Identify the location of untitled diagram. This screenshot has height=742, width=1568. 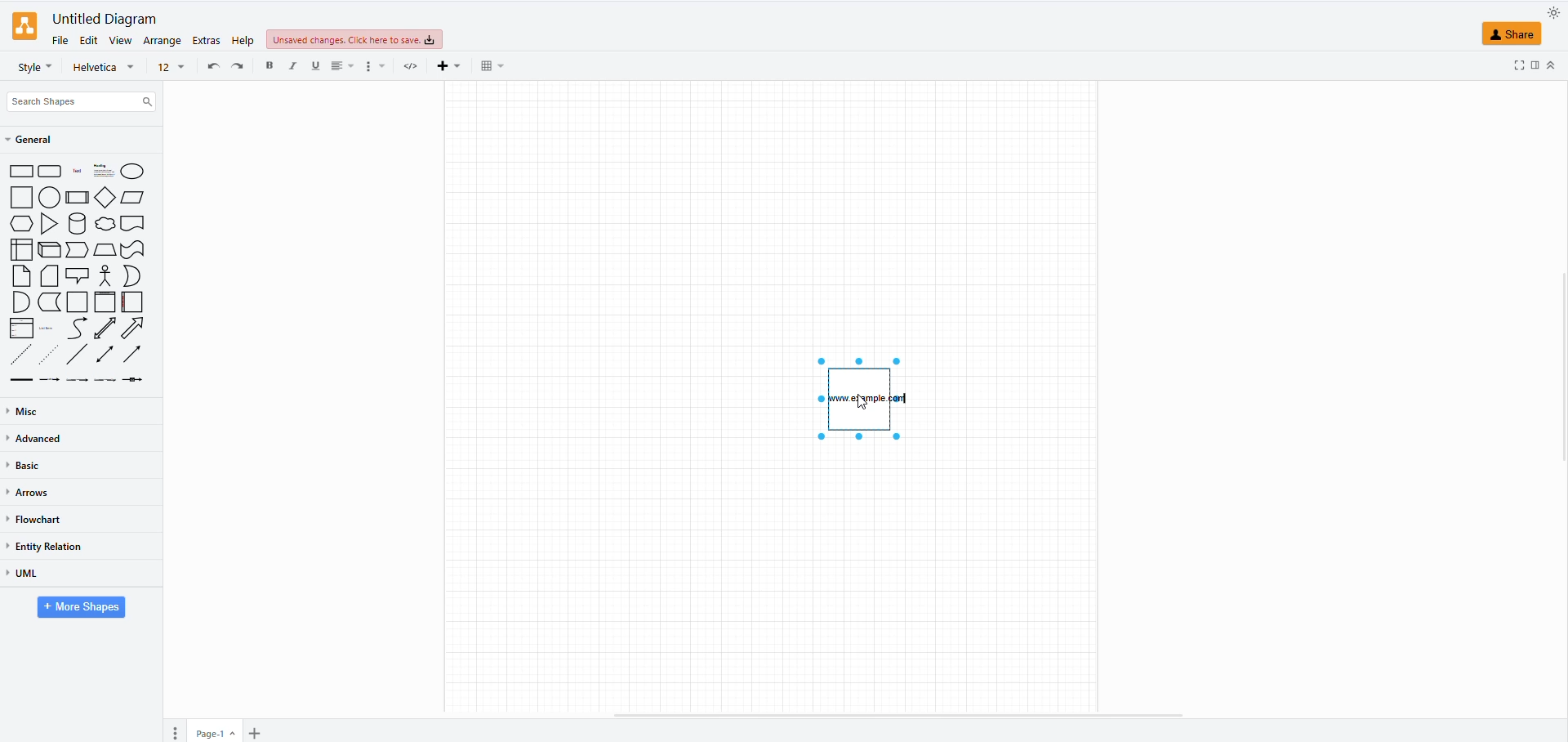
(103, 20).